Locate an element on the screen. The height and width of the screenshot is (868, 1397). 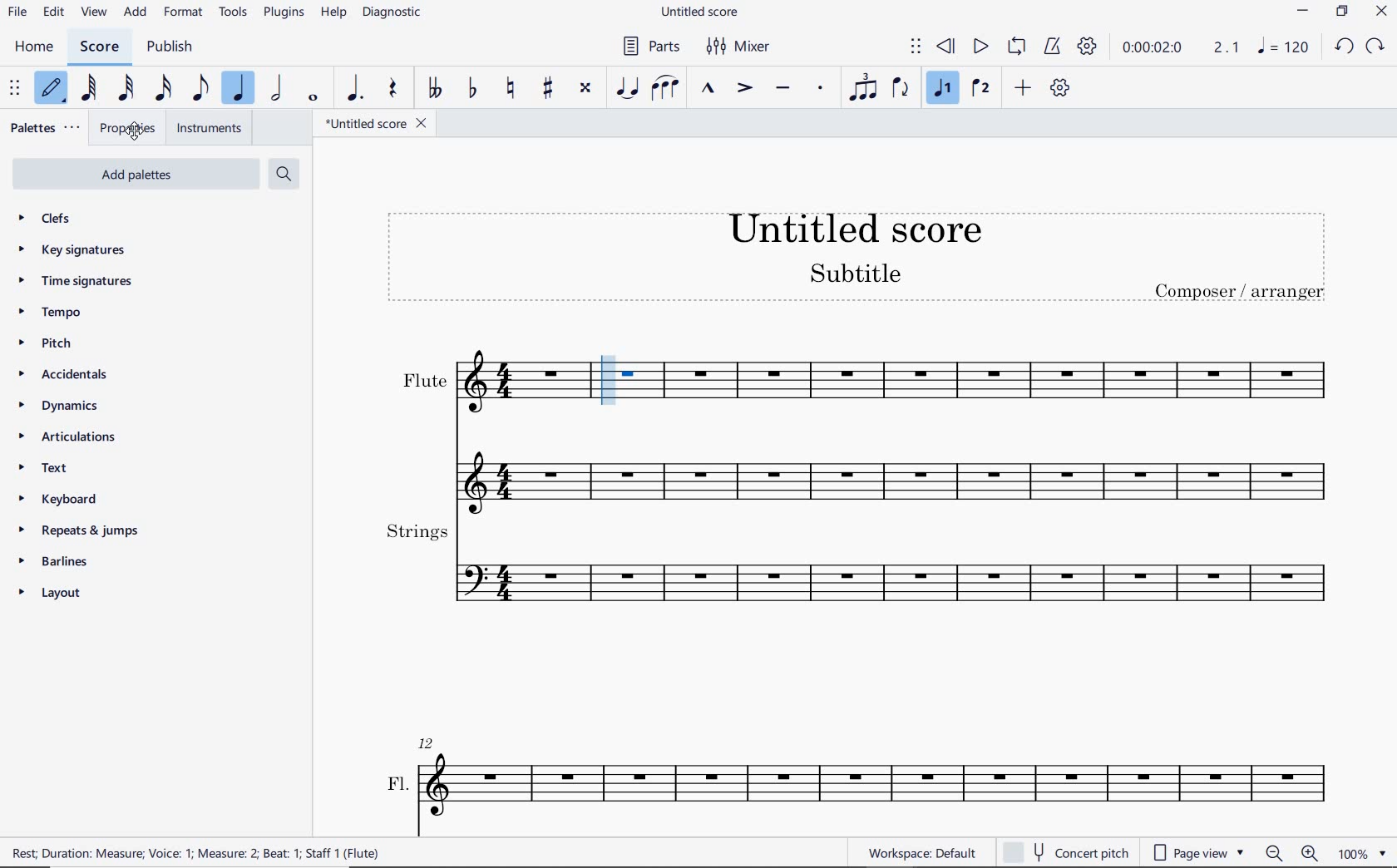
flute is located at coordinates (985, 383).